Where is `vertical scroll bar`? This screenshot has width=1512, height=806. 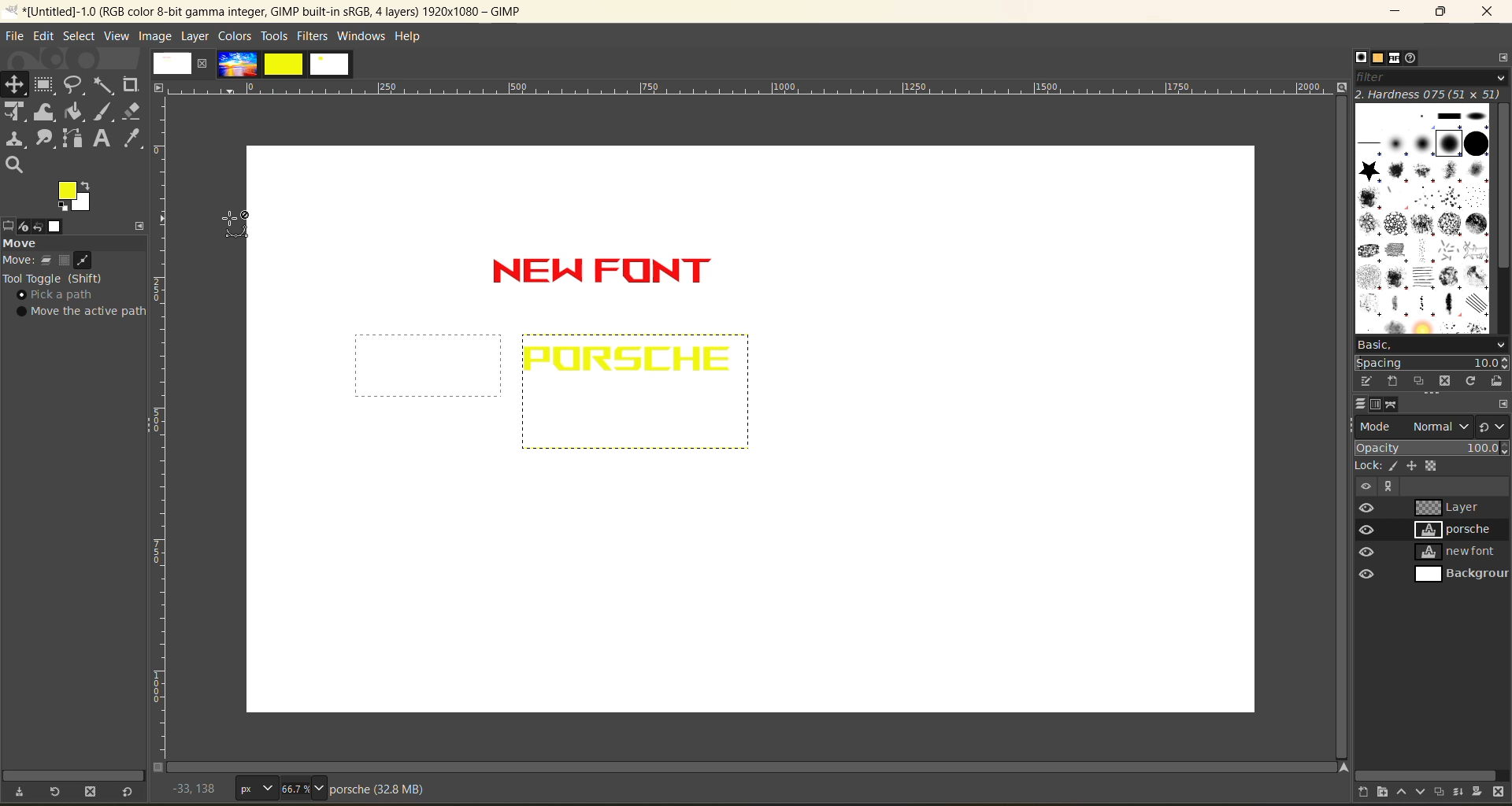
vertical scroll bar is located at coordinates (1336, 242).